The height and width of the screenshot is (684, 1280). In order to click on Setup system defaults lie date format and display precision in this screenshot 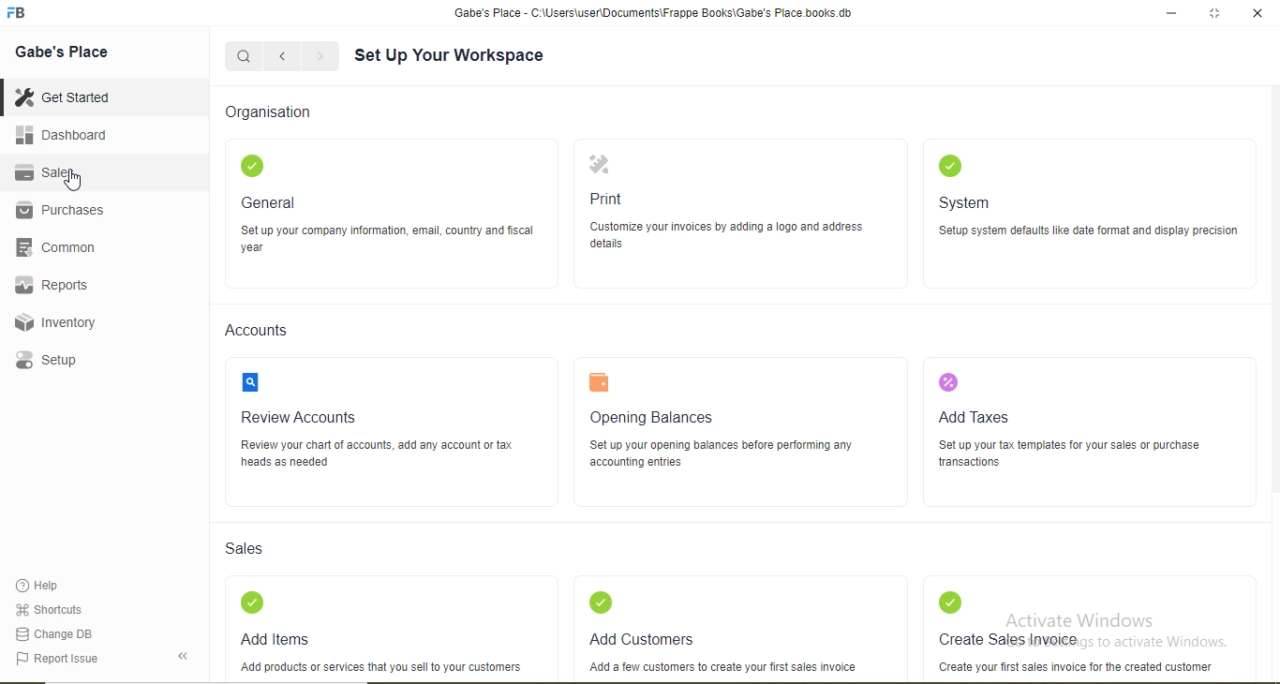, I will do `click(1095, 234)`.